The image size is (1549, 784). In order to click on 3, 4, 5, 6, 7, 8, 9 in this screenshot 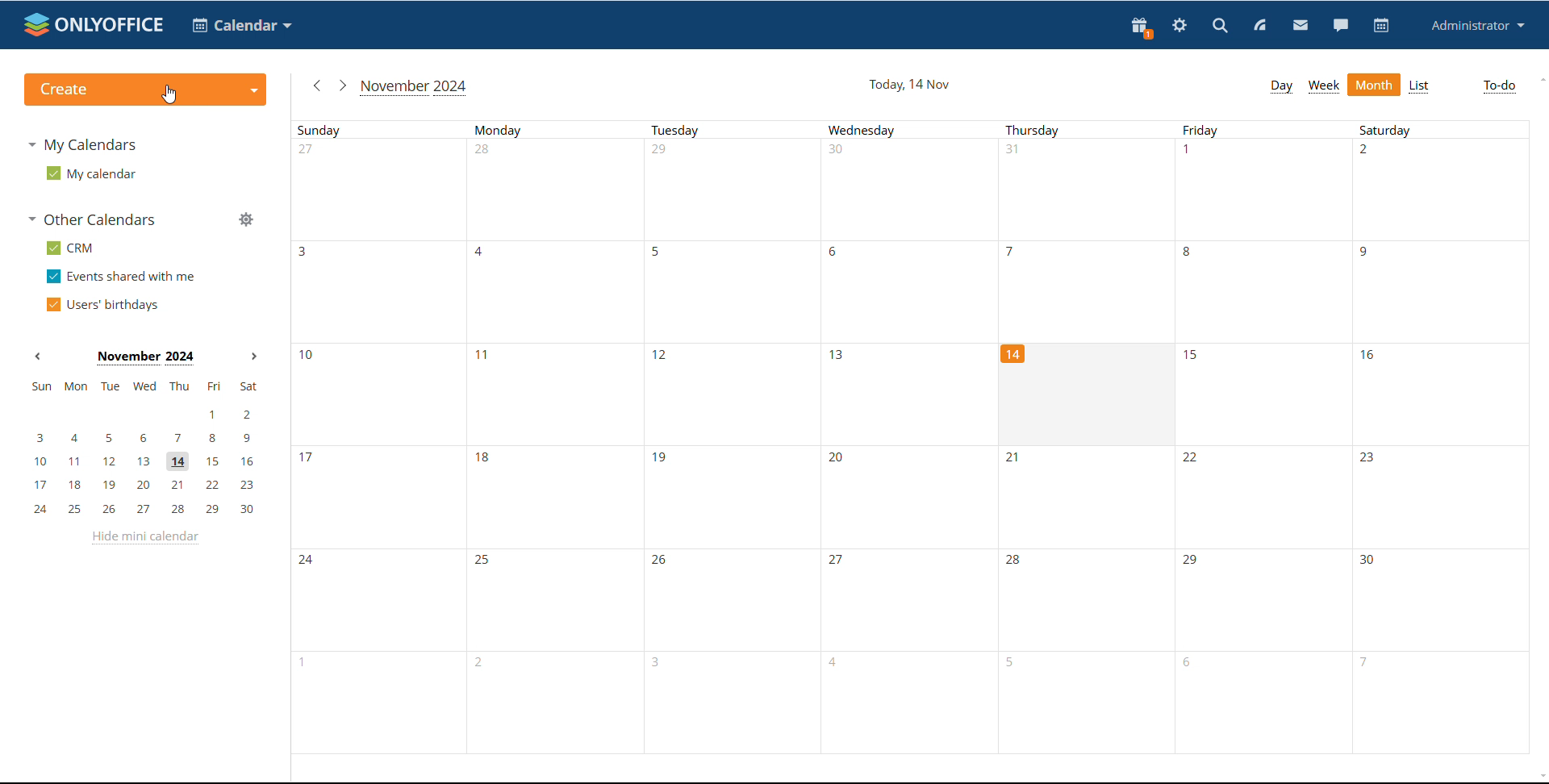, I will do `click(144, 436)`.